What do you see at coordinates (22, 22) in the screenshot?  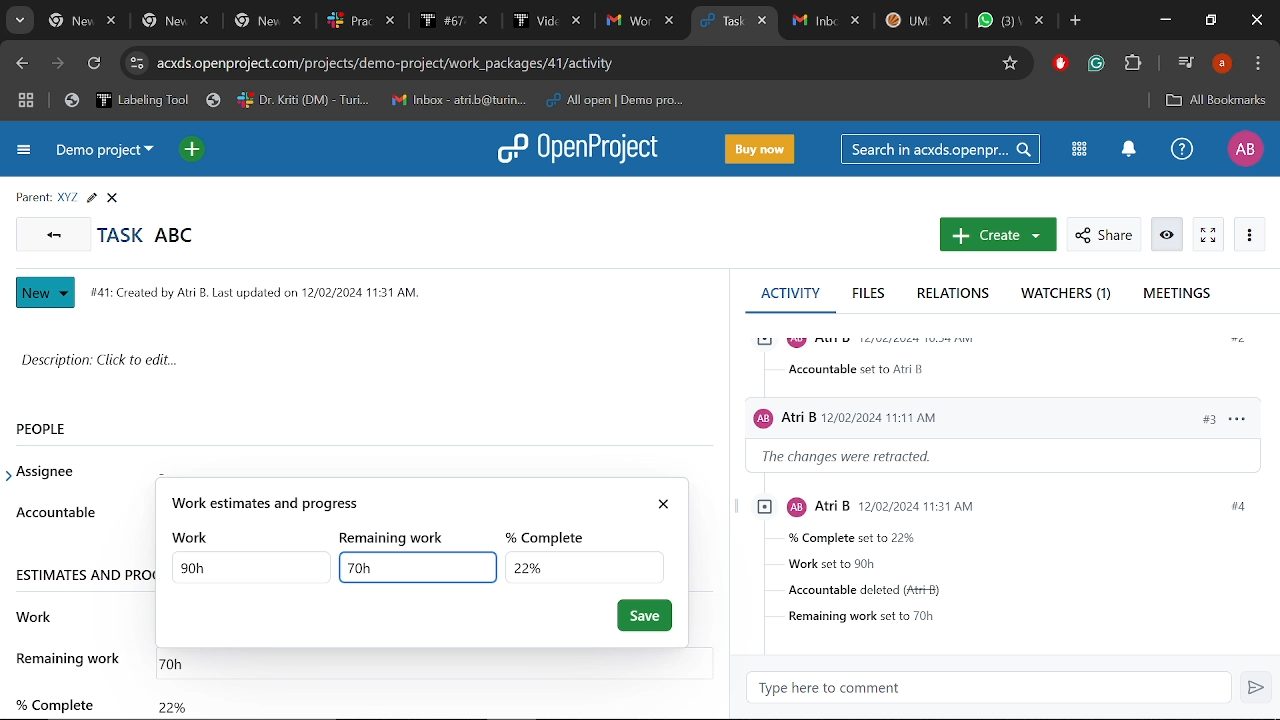 I see `Search tabs` at bounding box center [22, 22].